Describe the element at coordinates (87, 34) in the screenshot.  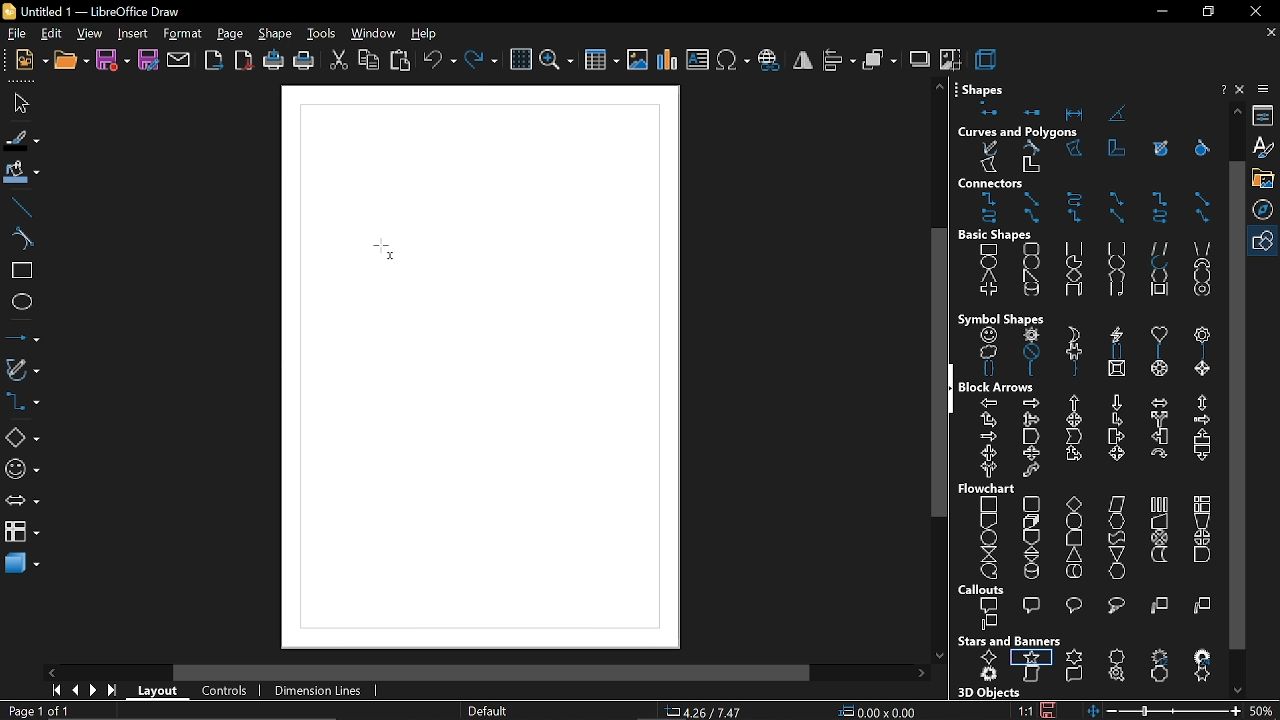
I see `view` at that location.